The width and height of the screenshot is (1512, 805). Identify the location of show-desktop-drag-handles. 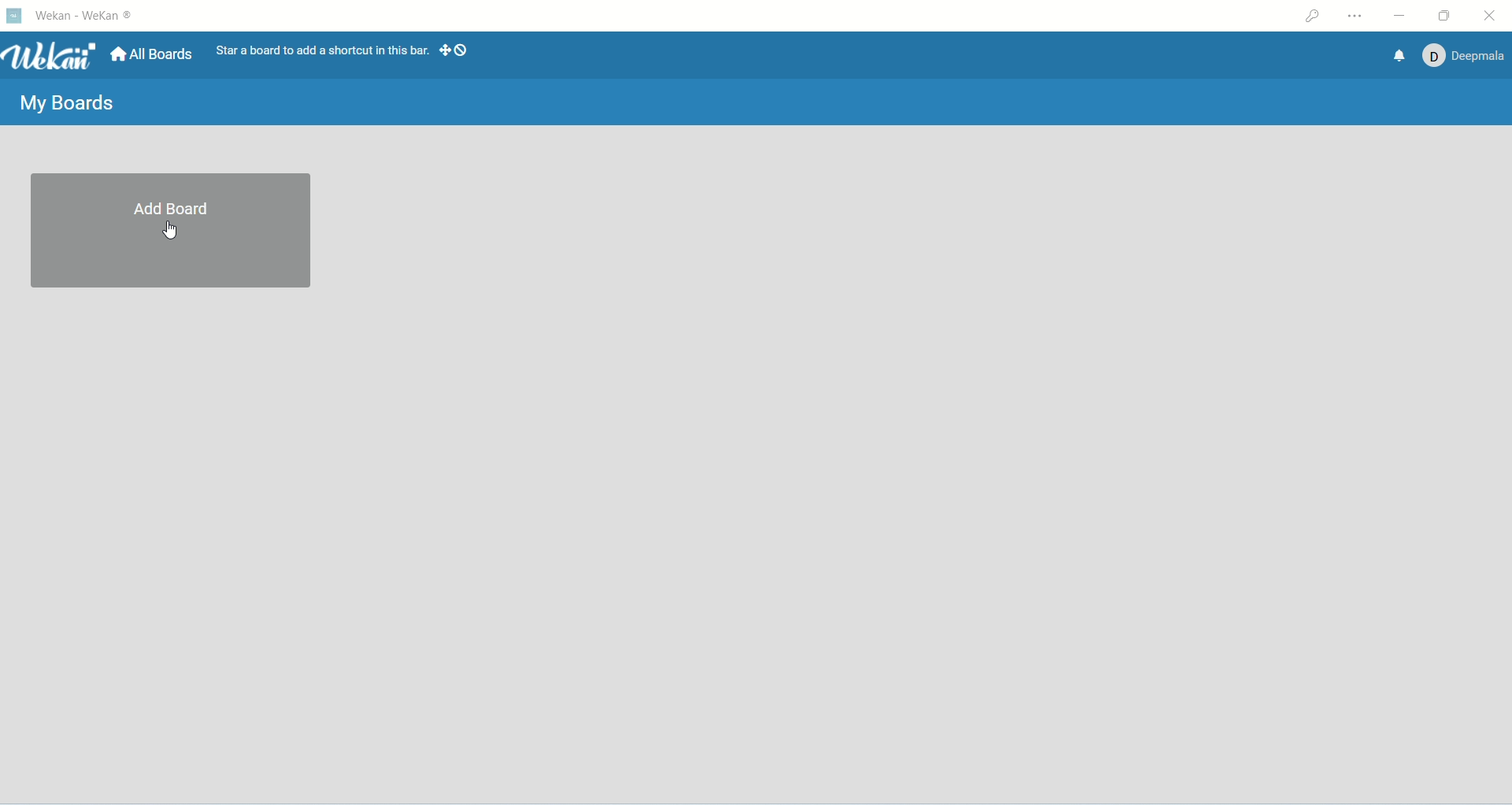
(463, 50).